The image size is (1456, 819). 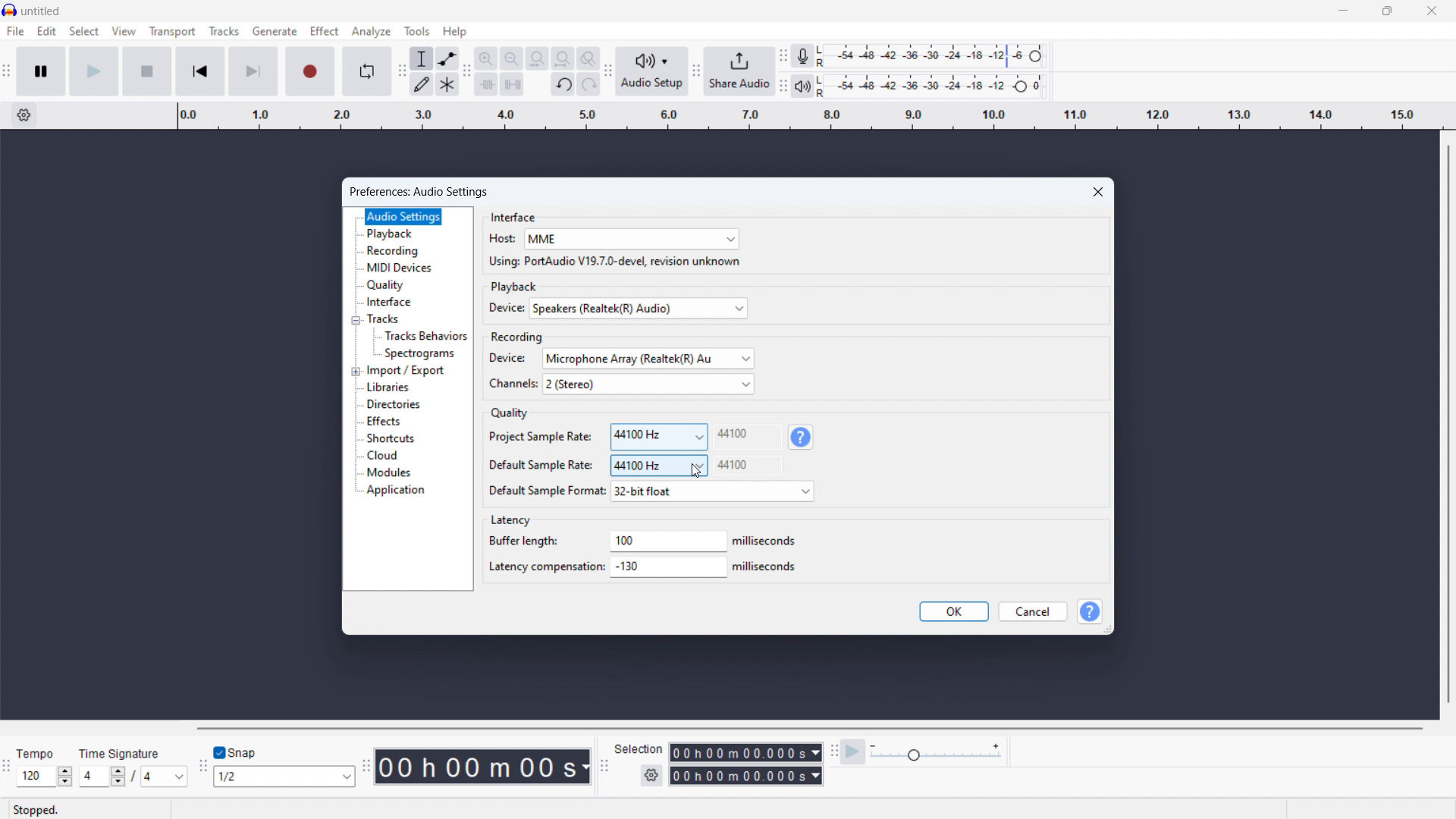 What do you see at coordinates (748, 435) in the screenshot?
I see `44100` at bounding box center [748, 435].